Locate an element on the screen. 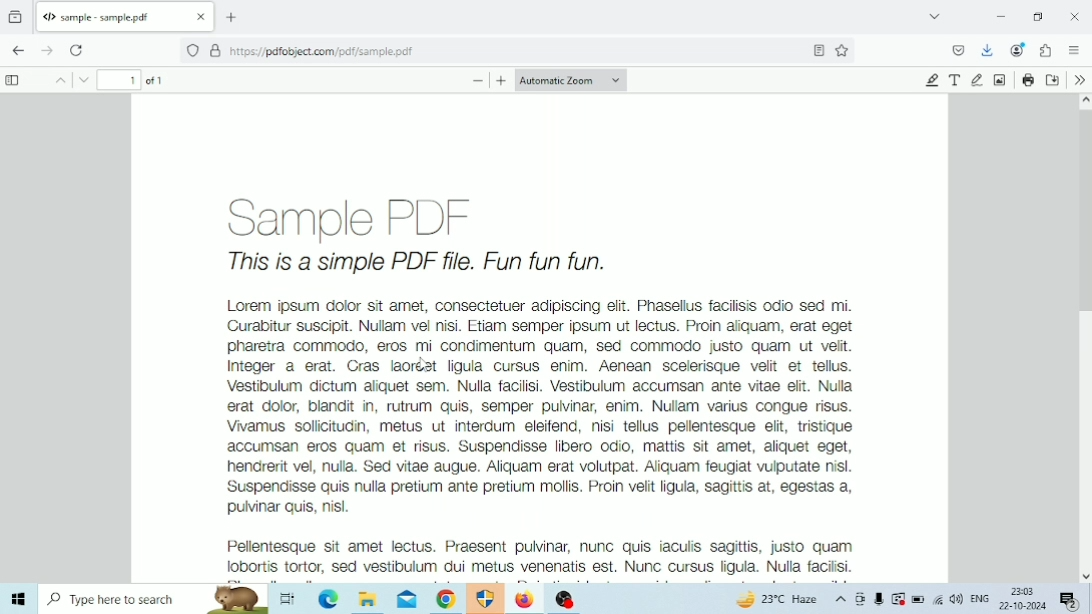 The image size is (1092, 614). Text is located at coordinates (956, 80).